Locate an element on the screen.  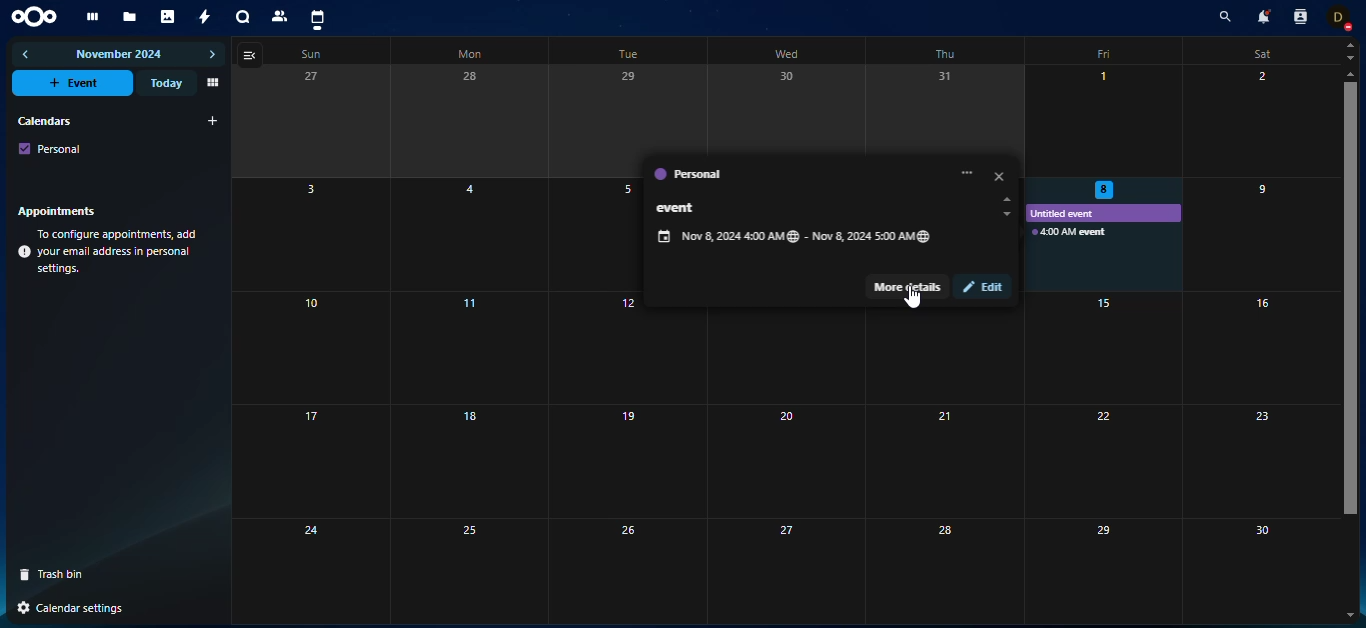
calendar is located at coordinates (317, 19).